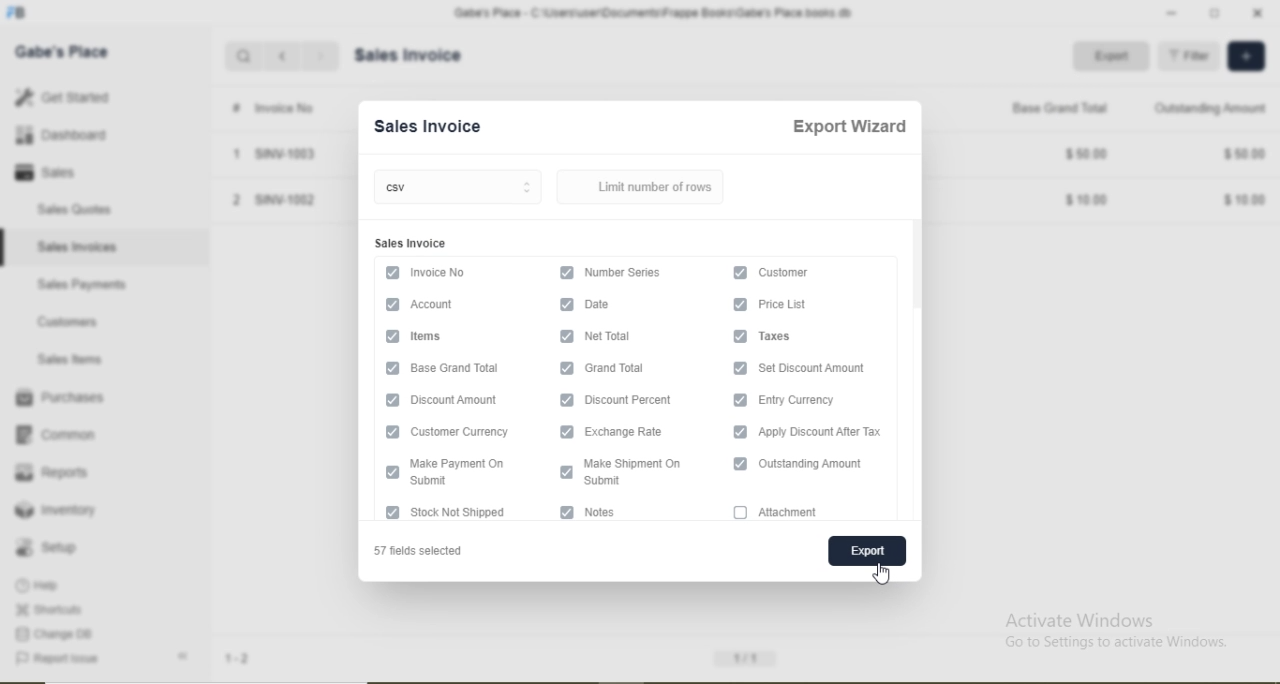 The width and height of the screenshot is (1280, 684). I want to click on checkbox, so click(568, 273).